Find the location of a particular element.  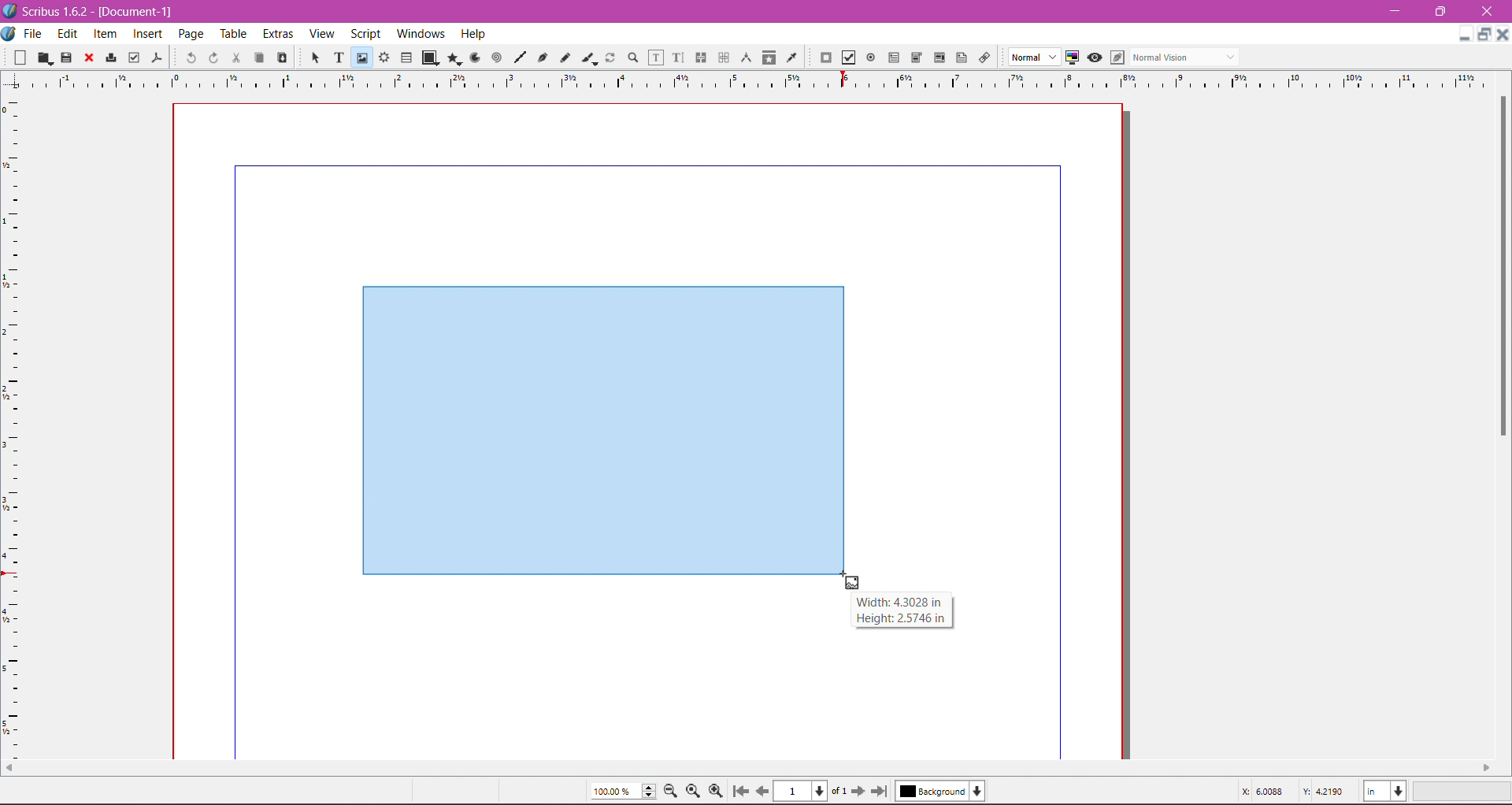

Save is located at coordinates (67, 57).